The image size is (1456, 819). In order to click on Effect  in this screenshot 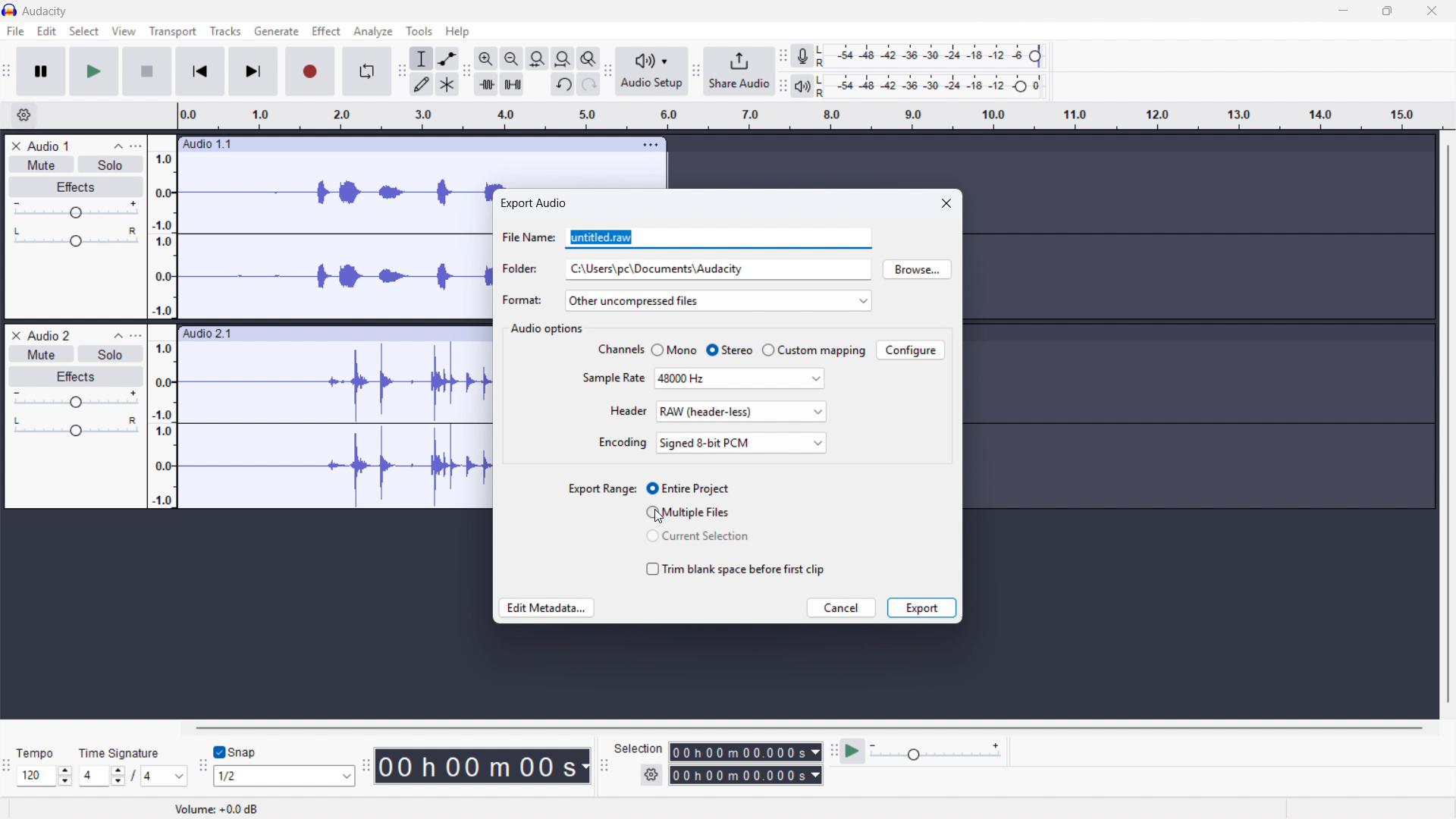, I will do `click(326, 30)`.